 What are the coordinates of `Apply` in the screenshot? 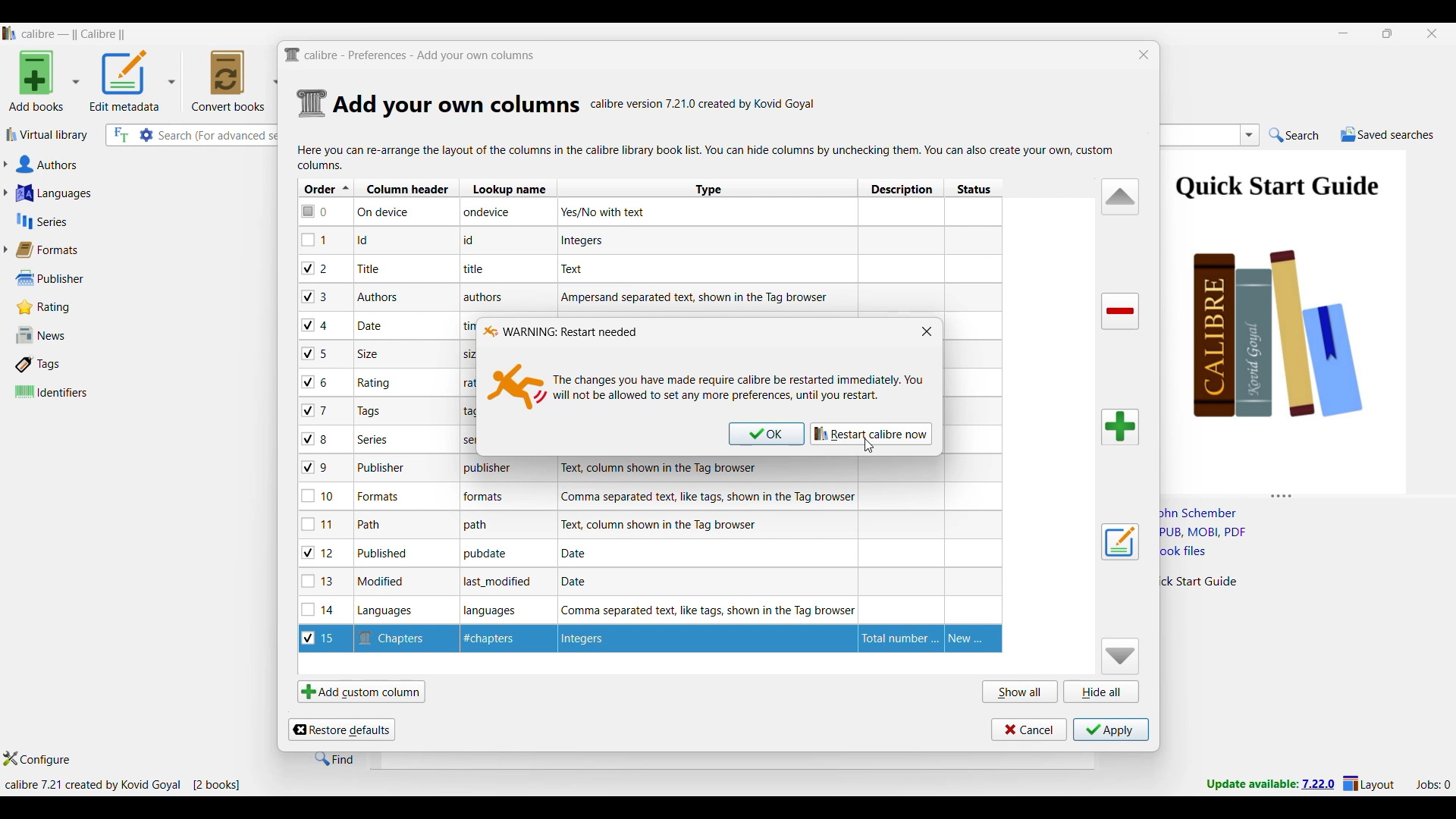 It's located at (1111, 730).